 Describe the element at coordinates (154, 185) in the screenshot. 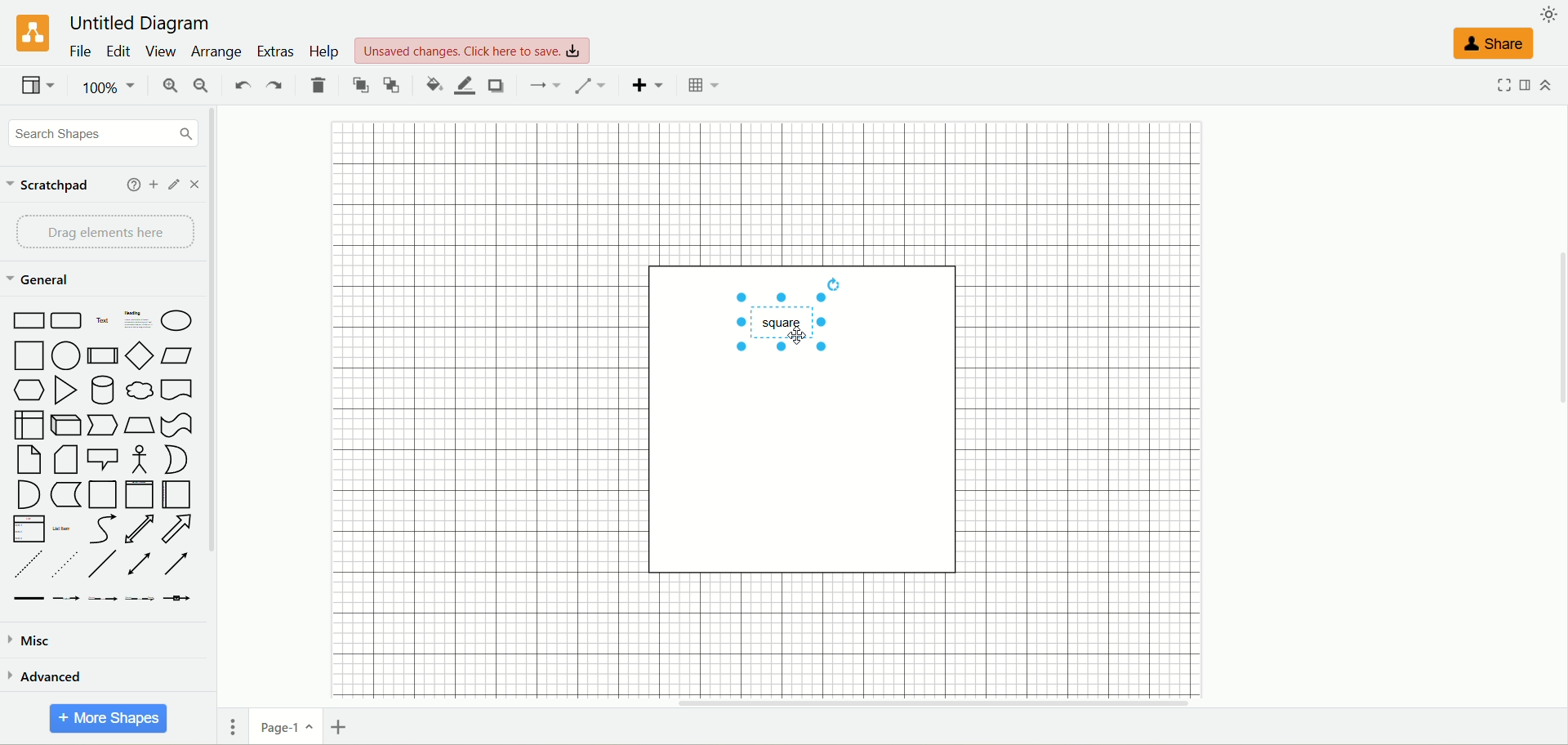

I see `add` at that location.